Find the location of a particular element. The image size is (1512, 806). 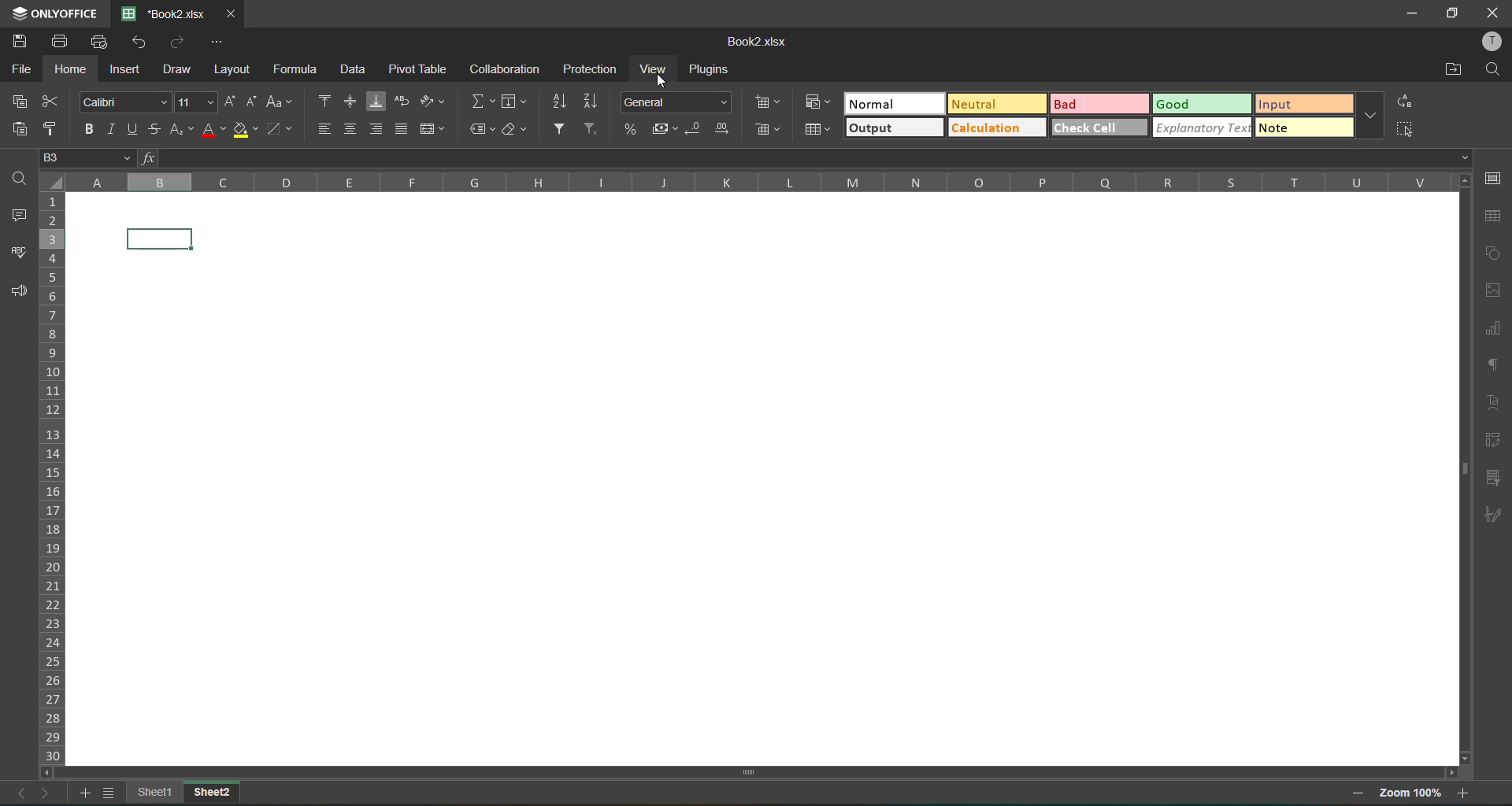

collaboration is located at coordinates (504, 68).